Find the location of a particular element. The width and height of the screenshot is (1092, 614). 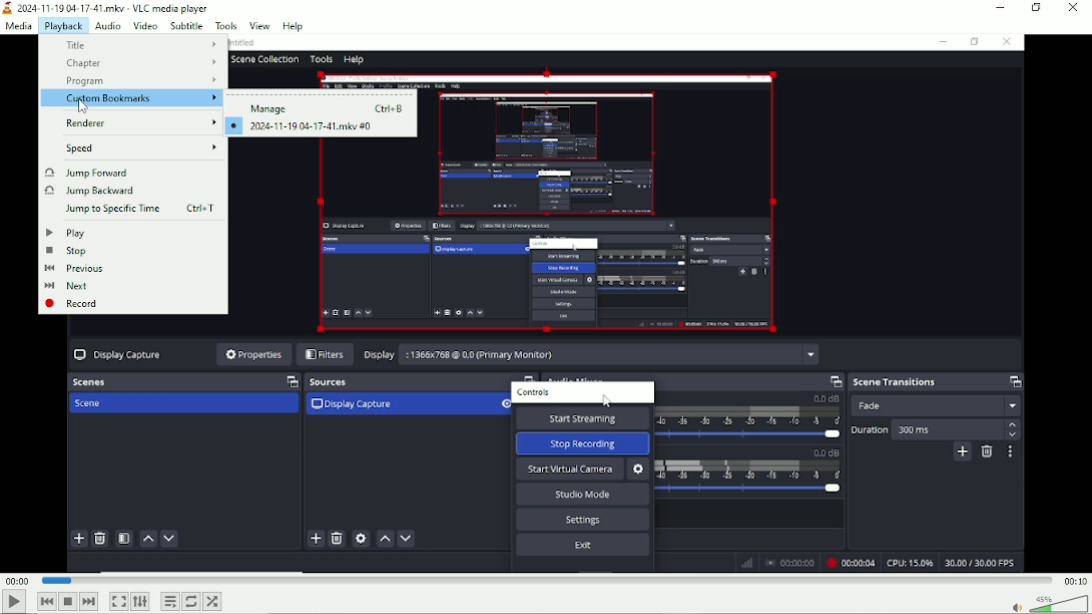

Toggle playlist is located at coordinates (169, 601).